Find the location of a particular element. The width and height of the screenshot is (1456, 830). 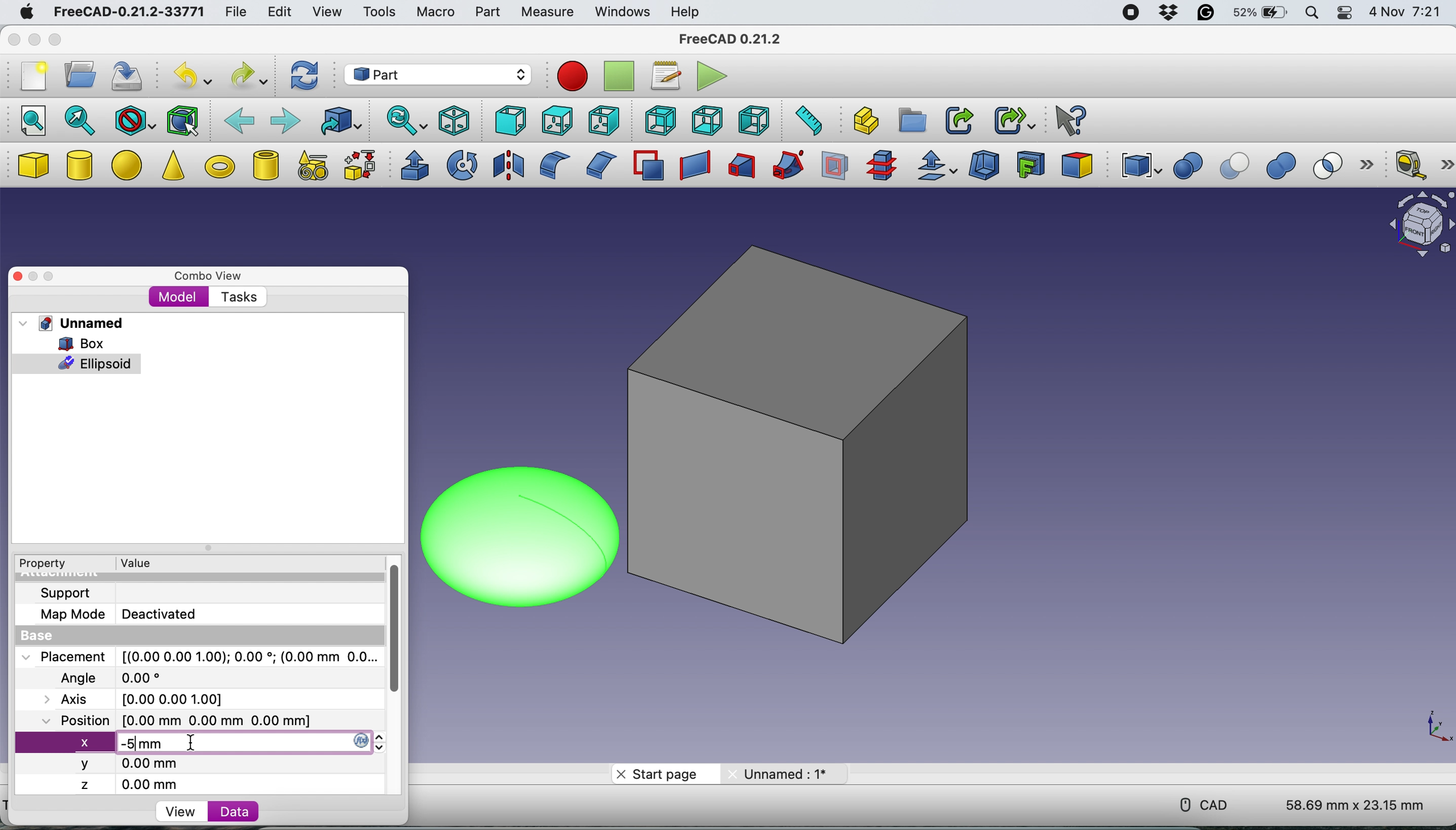

view is located at coordinates (184, 811).